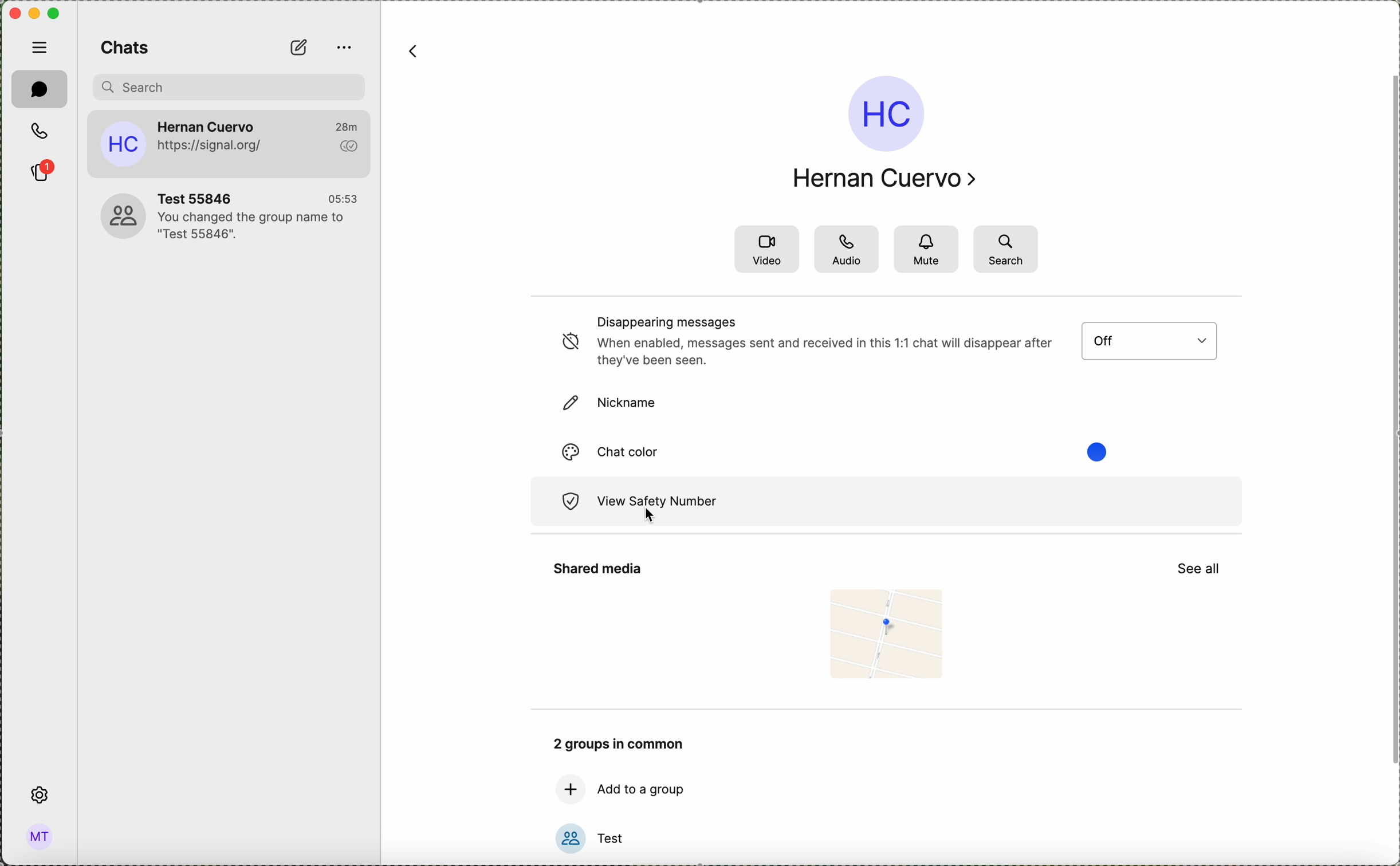  Describe the element at coordinates (565, 404) in the screenshot. I see `pencil ` at that location.